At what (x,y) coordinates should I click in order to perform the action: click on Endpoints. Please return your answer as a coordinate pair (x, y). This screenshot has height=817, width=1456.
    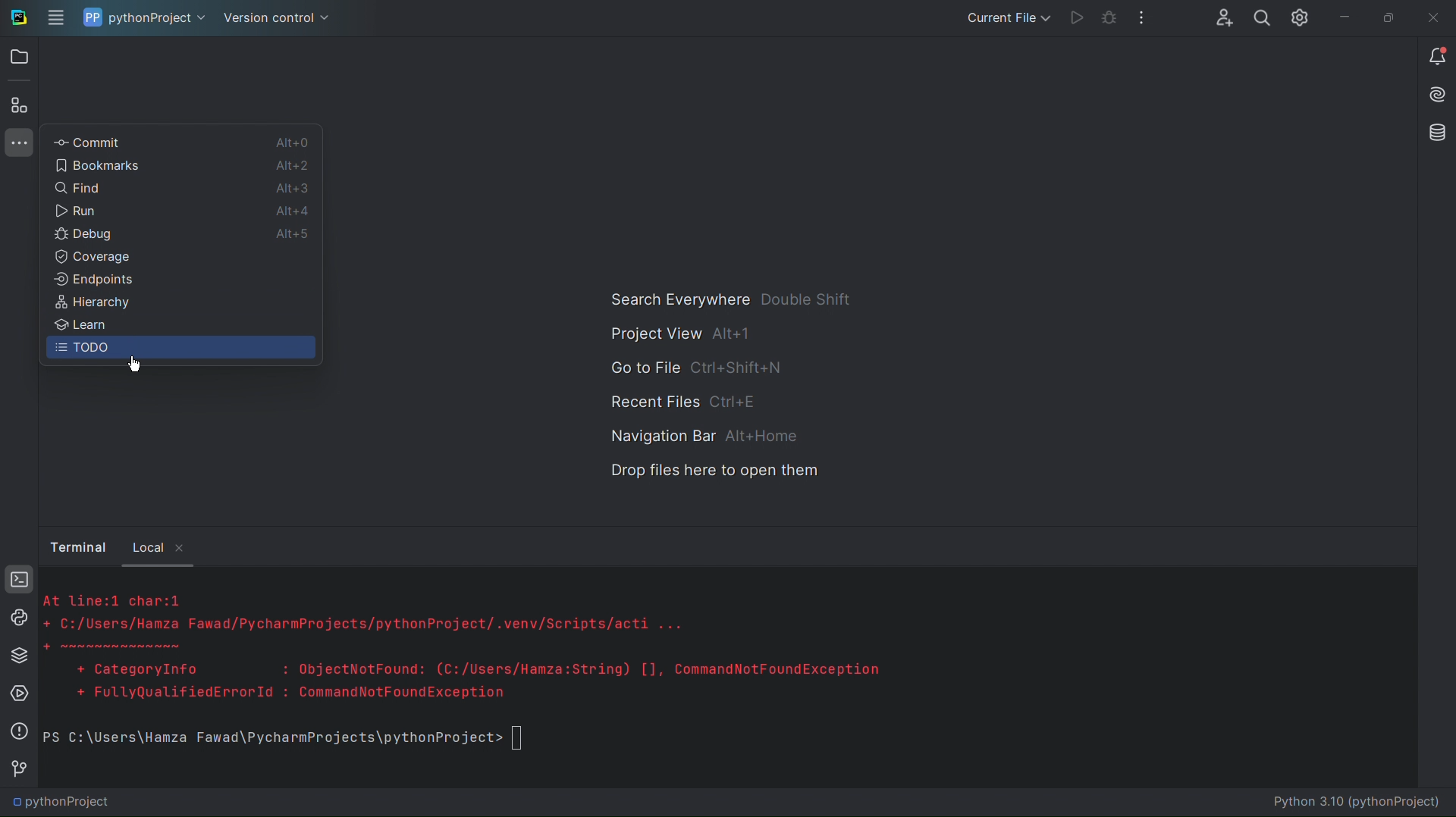
    Looking at the image, I should click on (180, 283).